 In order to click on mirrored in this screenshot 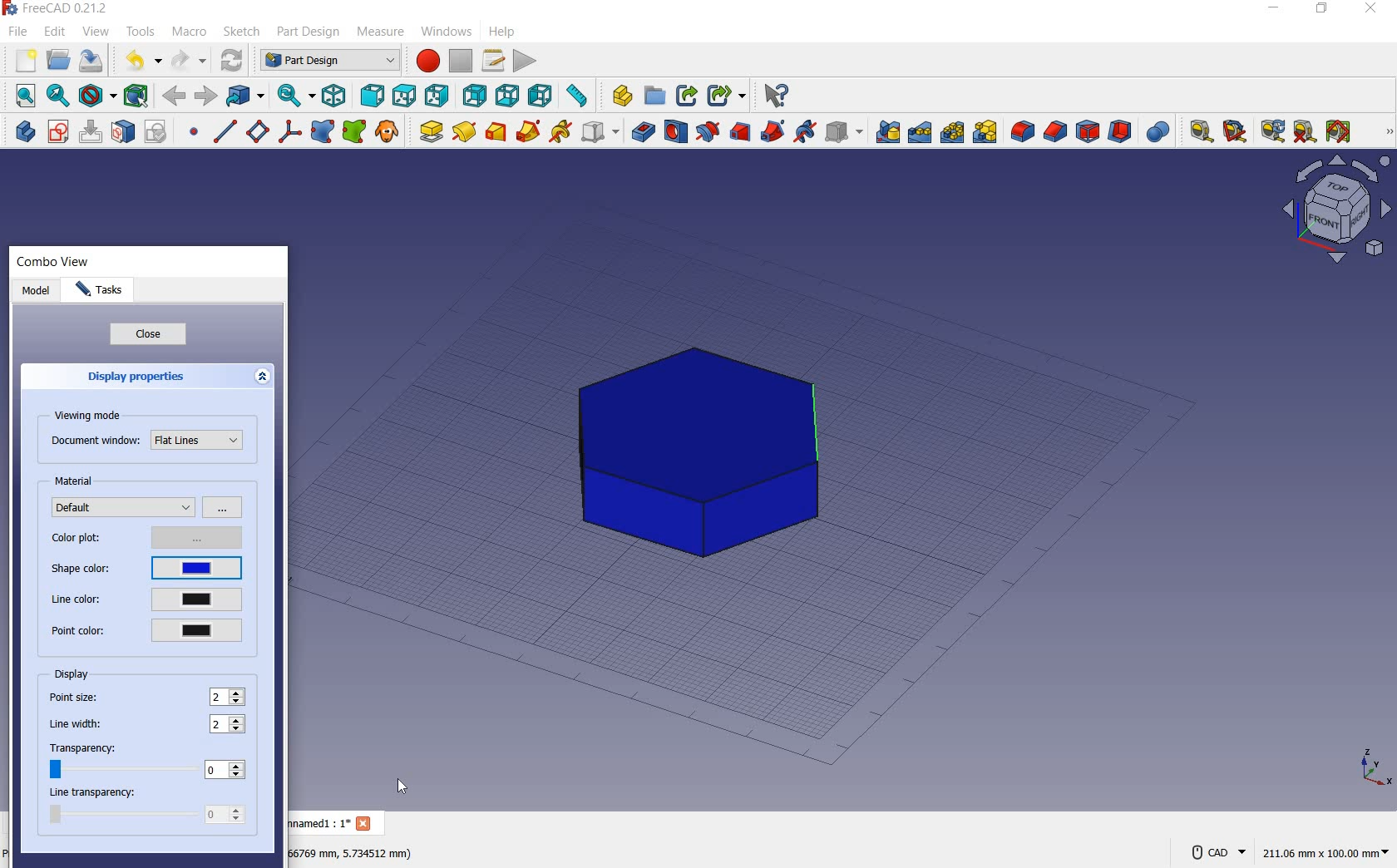, I will do `click(888, 131)`.